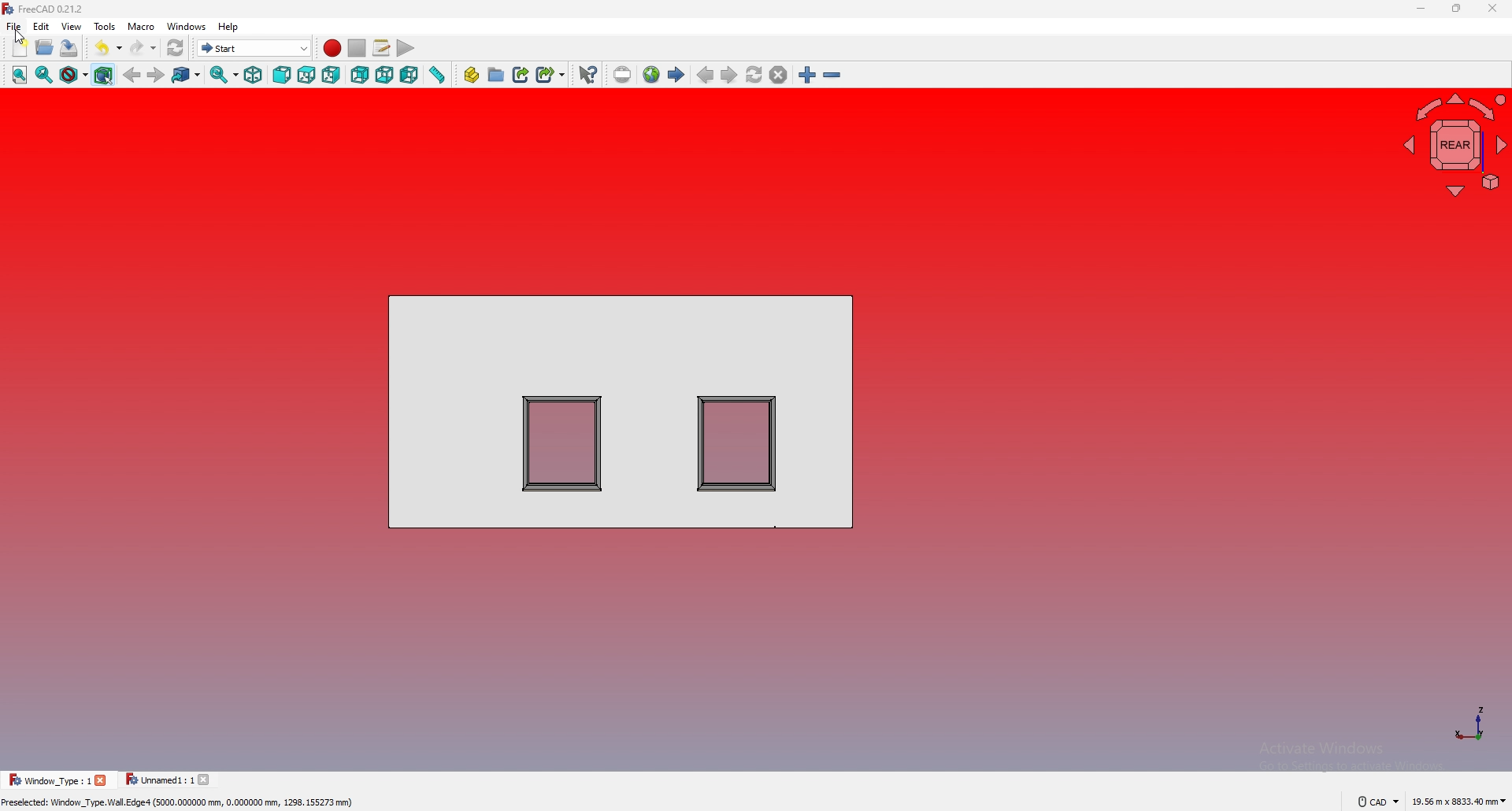 The image size is (1512, 811). What do you see at coordinates (186, 76) in the screenshot?
I see `go to linked object` at bounding box center [186, 76].